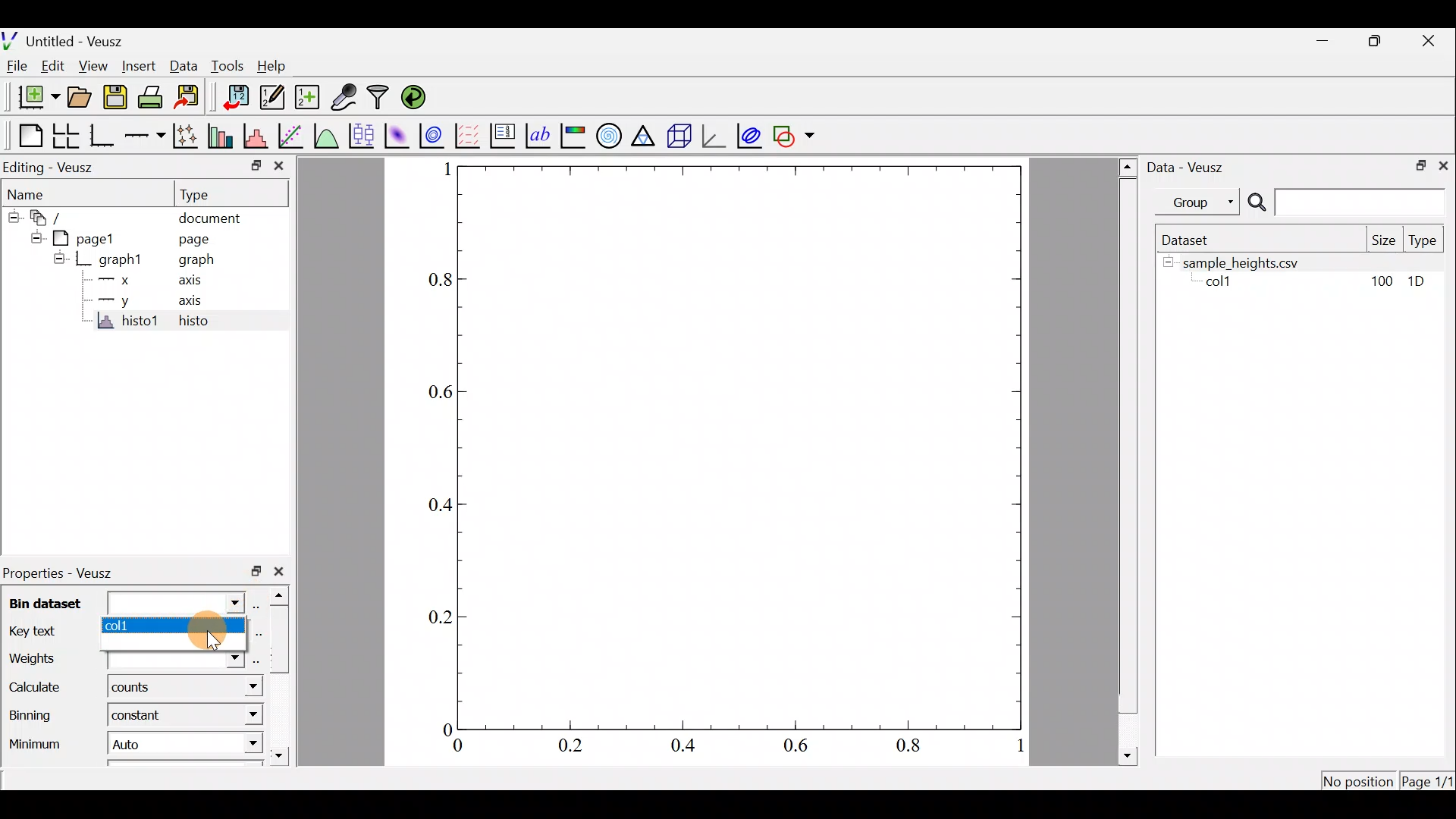 Image resolution: width=1456 pixels, height=819 pixels. What do you see at coordinates (795, 134) in the screenshot?
I see `add a shape to the plot` at bounding box center [795, 134].